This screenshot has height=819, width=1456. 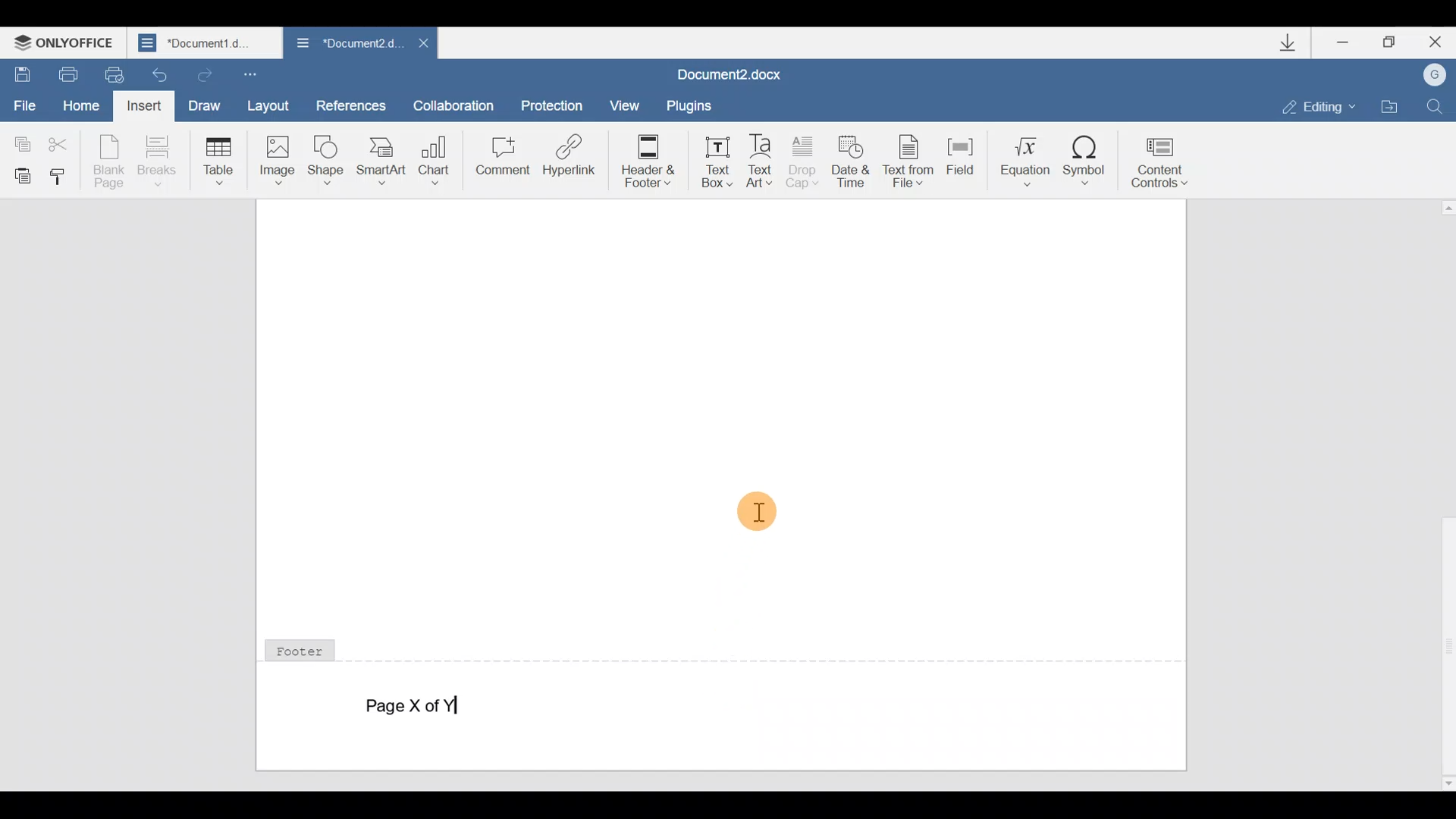 What do you see at coordinates (352, 105) in the screenshot?
I see `References` at bounding box center [352, 105].